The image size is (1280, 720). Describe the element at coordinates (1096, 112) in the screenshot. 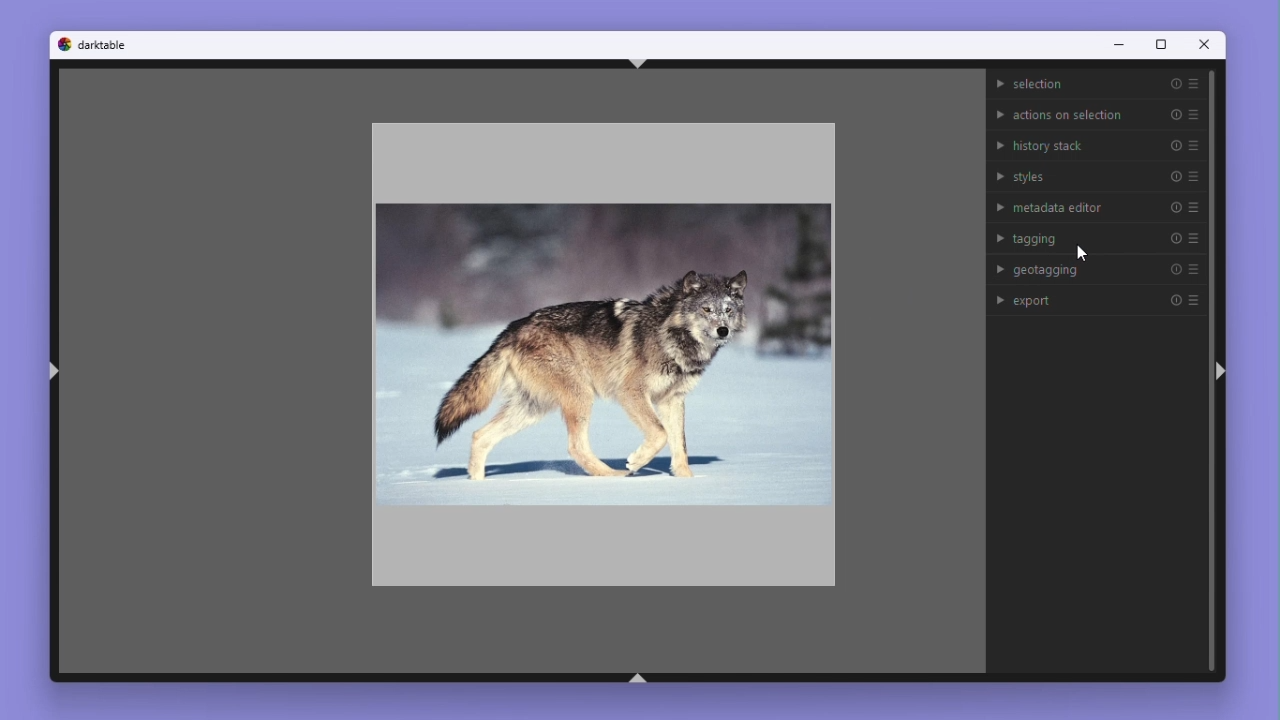

I see `Actions on selection` at that location.